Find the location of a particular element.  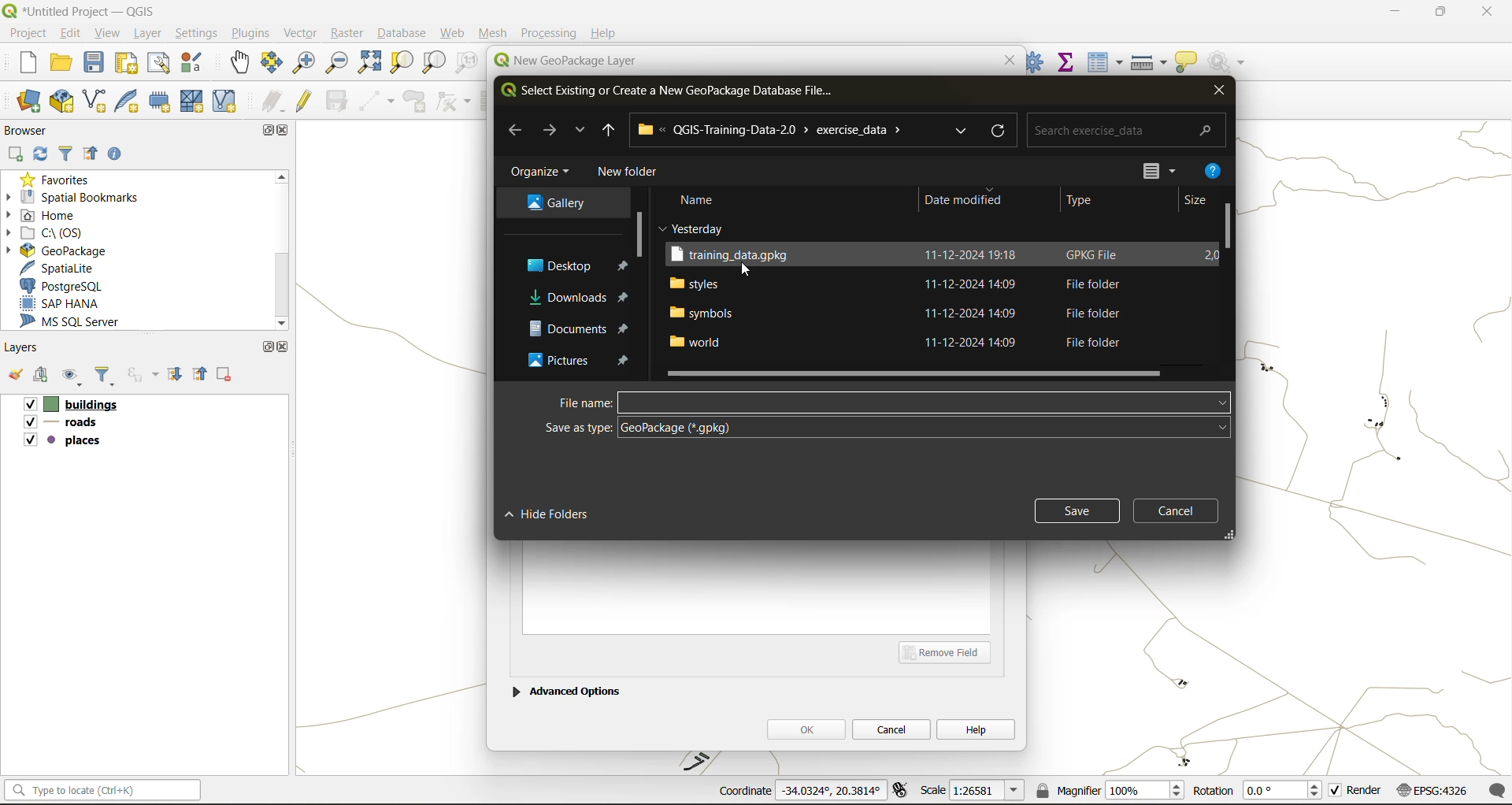

name is located at coordinates (700, 198).